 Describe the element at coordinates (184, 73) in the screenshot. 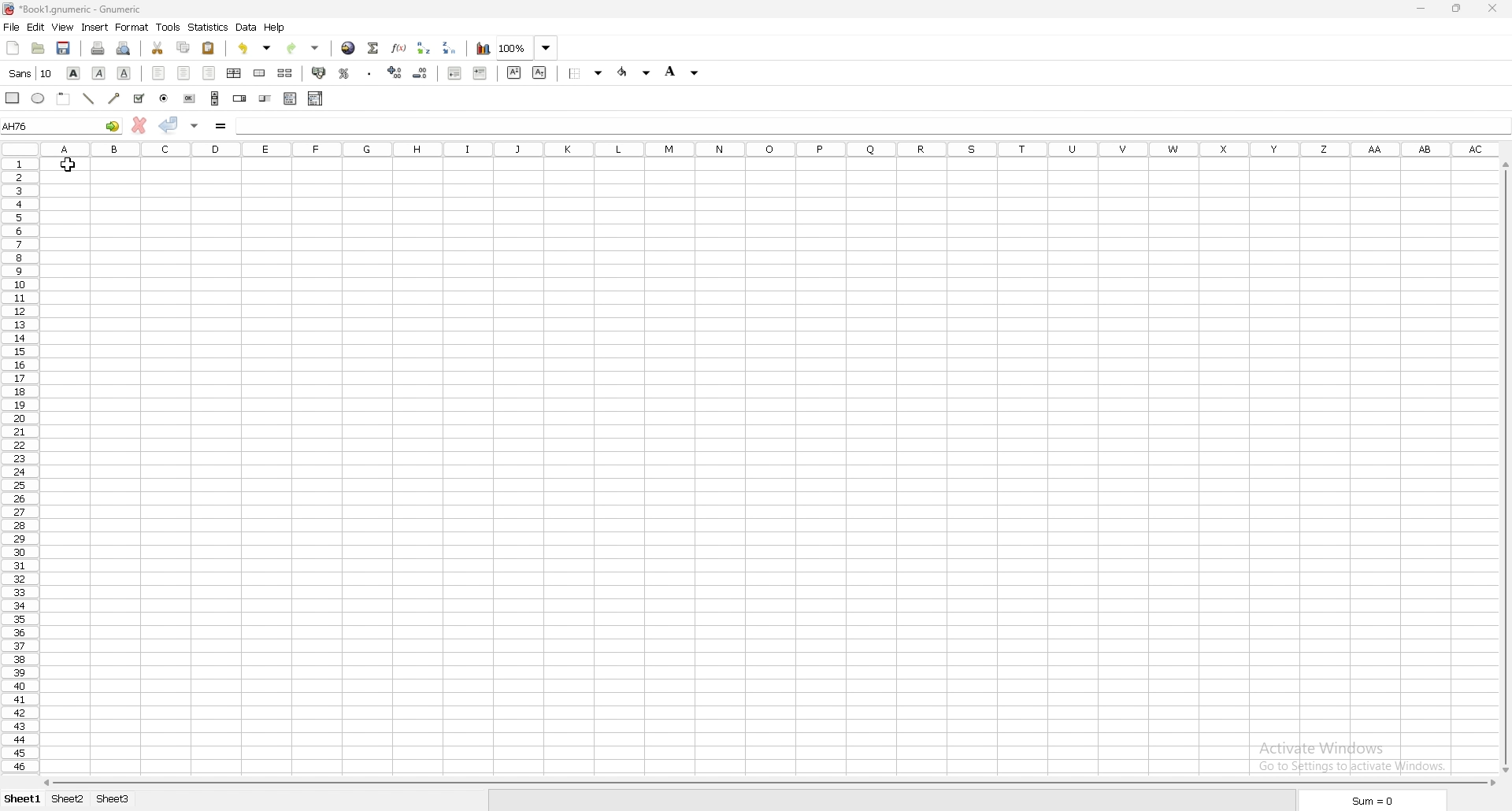

I see `center` at that location.